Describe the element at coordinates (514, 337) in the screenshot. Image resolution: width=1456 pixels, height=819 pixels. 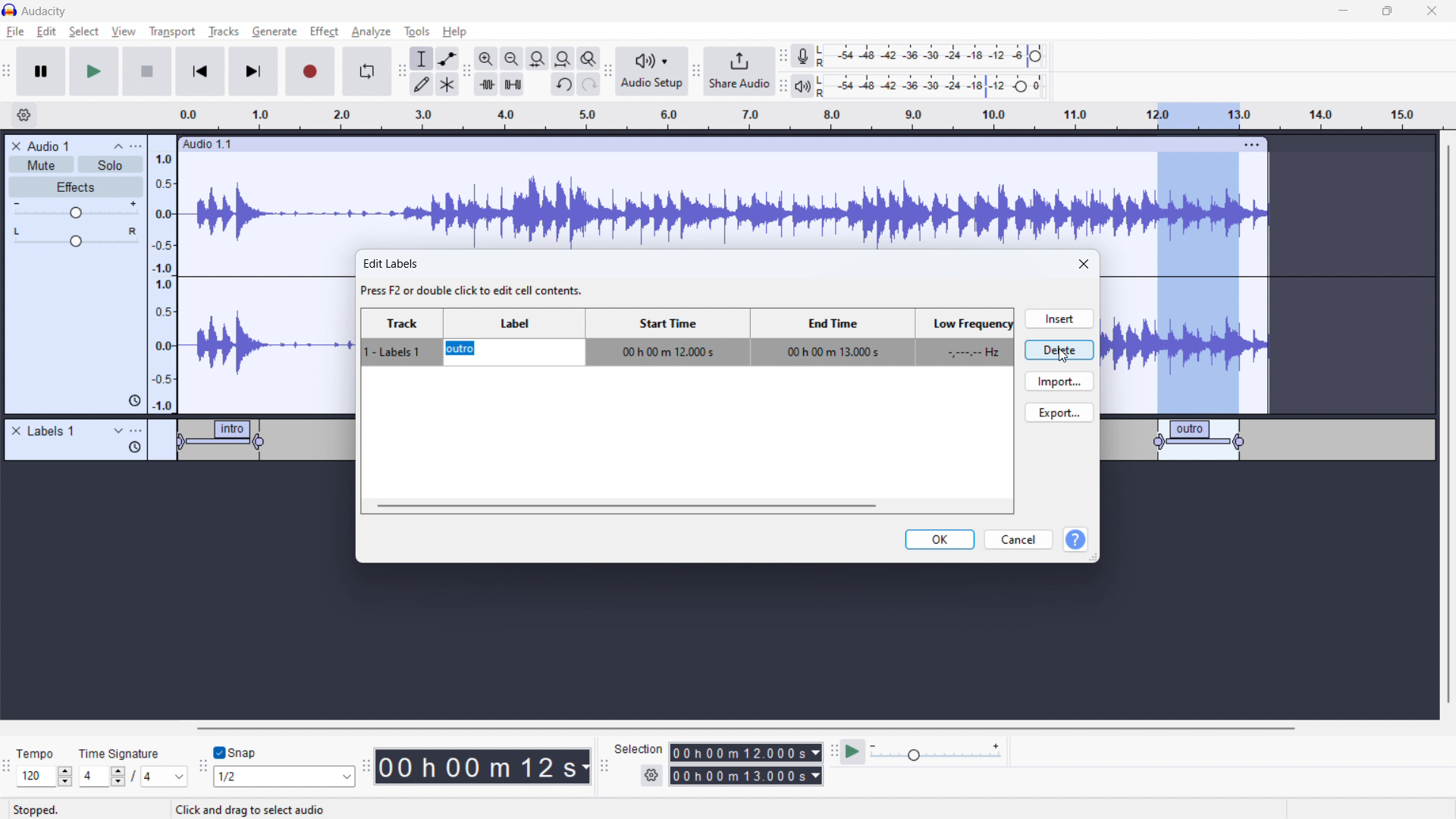
I see `label` at that location.